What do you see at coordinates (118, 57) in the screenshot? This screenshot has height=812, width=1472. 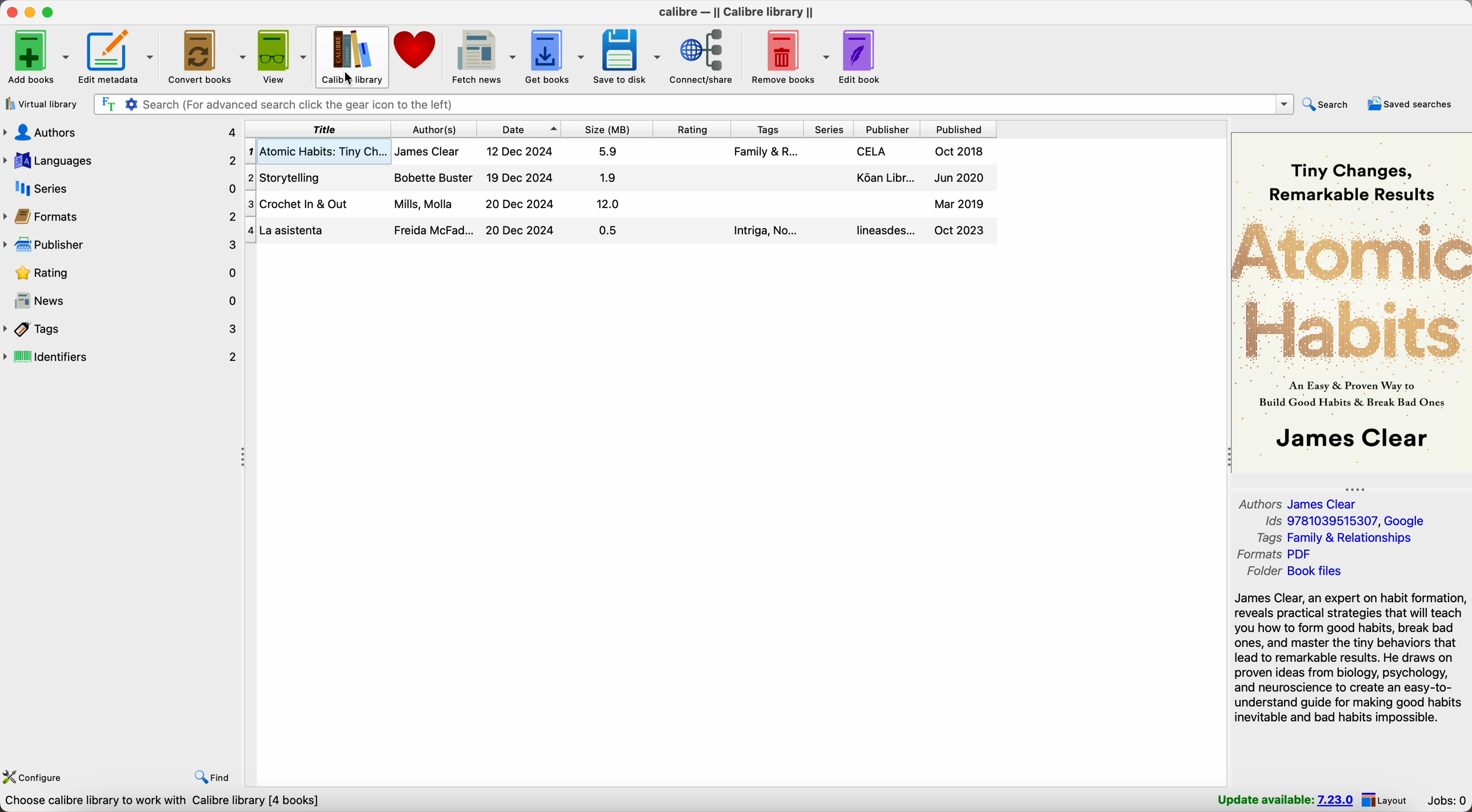 I see `edit metadata` at bounding box center [118, 57].